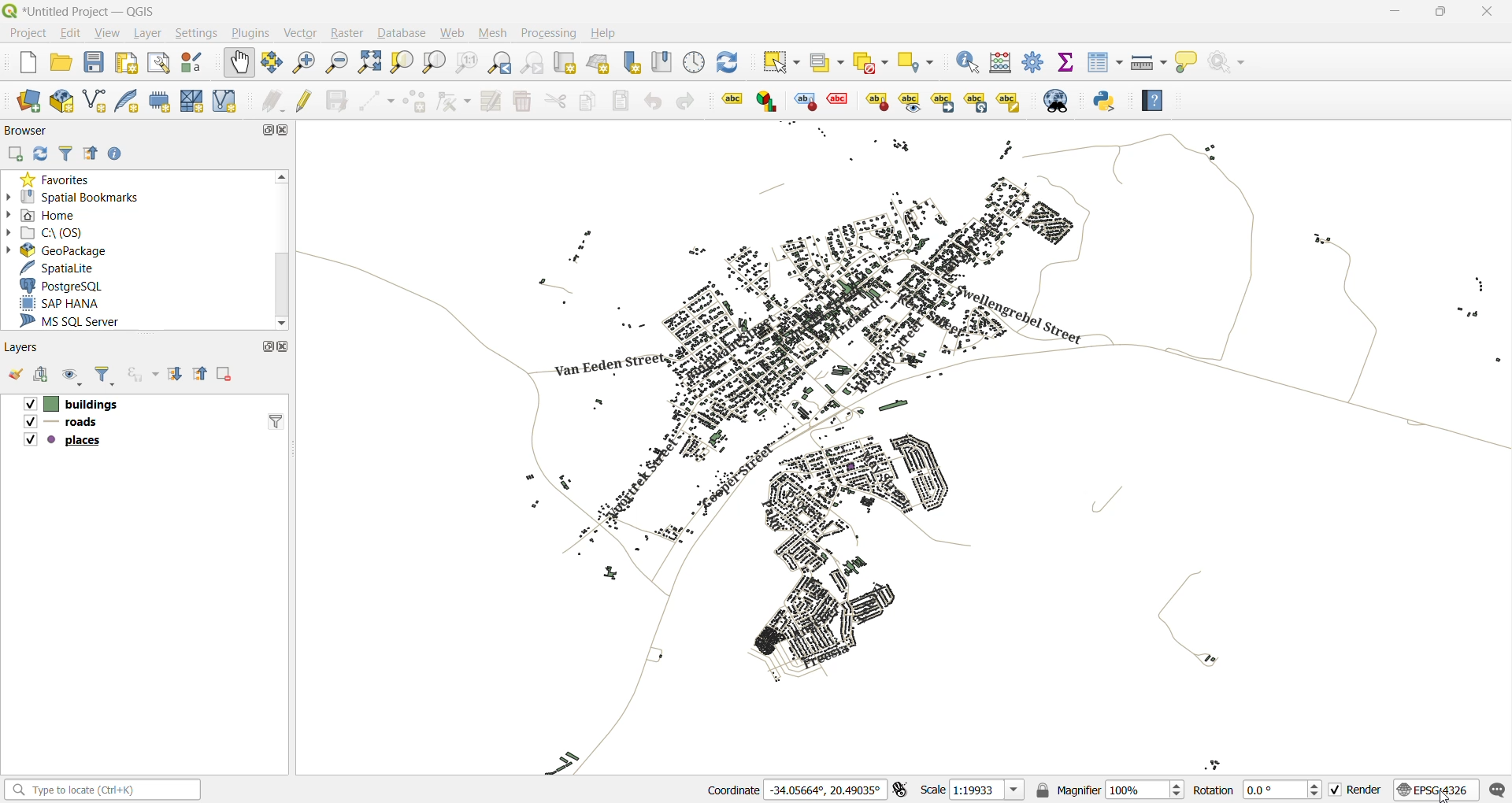  I want to click on maximize, so click(265, 348).